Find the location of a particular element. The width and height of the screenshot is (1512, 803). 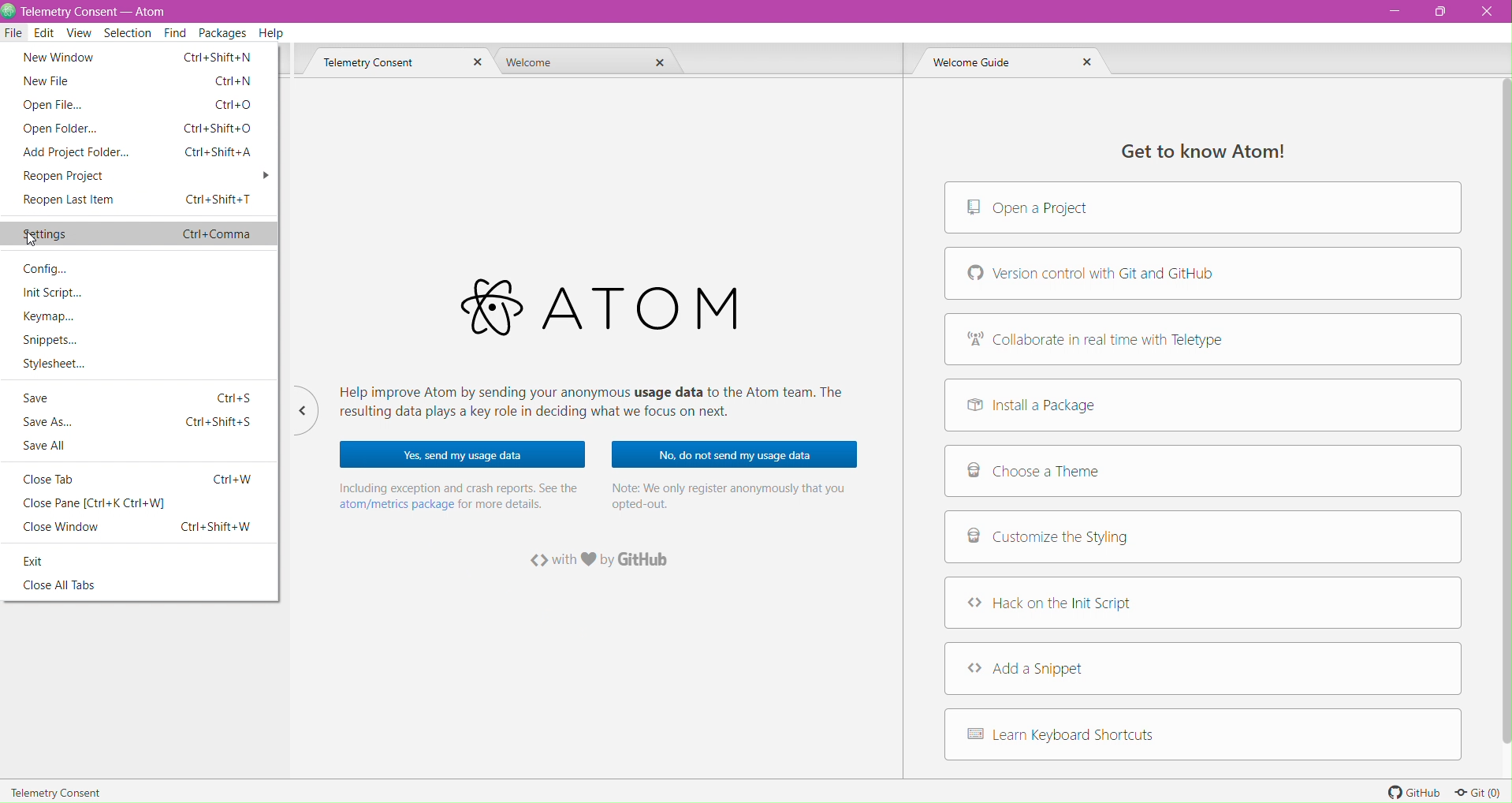

Close is located at coordinates (1488, 12).